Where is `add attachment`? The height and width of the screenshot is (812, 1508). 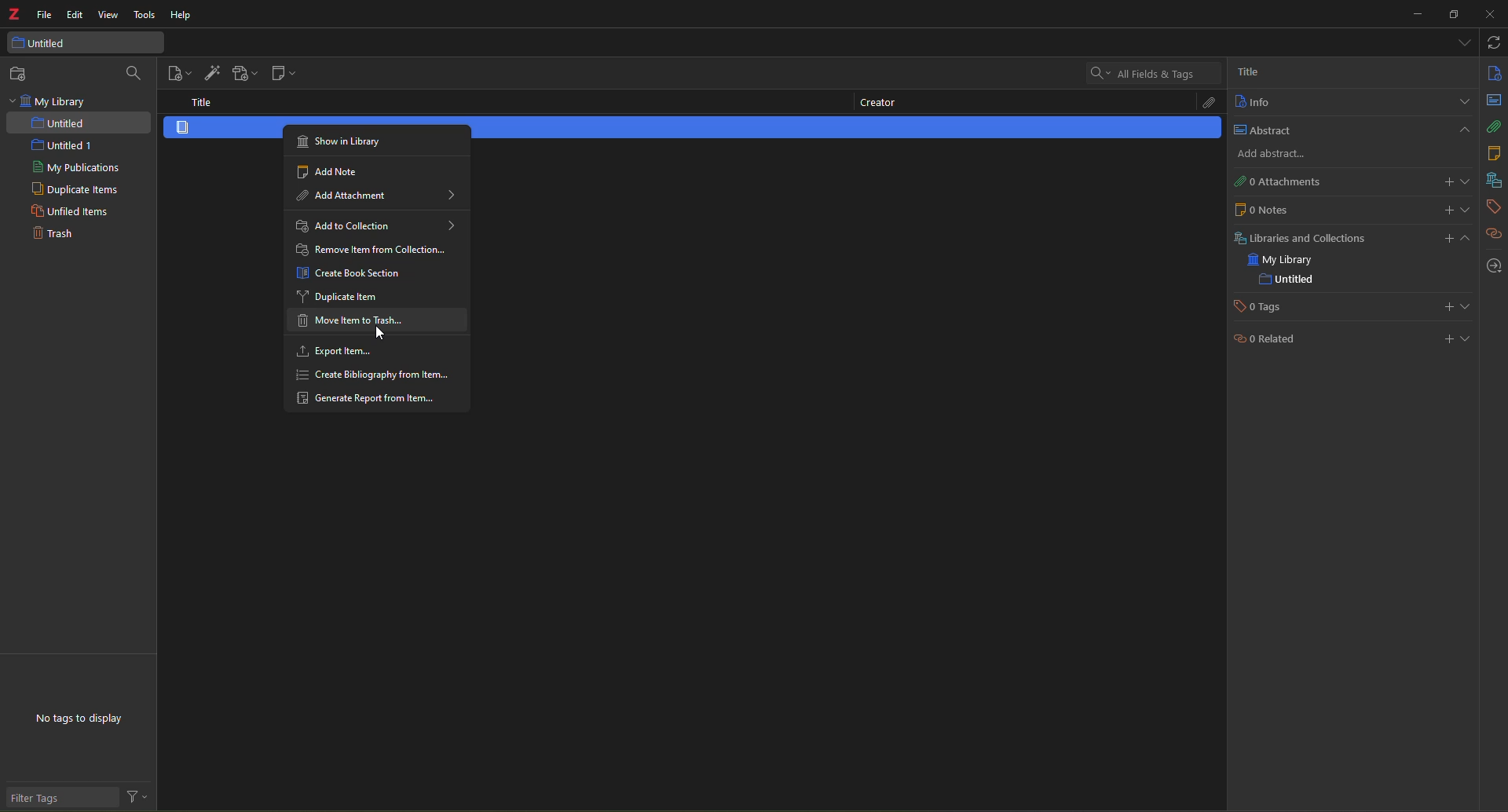 add attachment is located at coordinates (381, 196).